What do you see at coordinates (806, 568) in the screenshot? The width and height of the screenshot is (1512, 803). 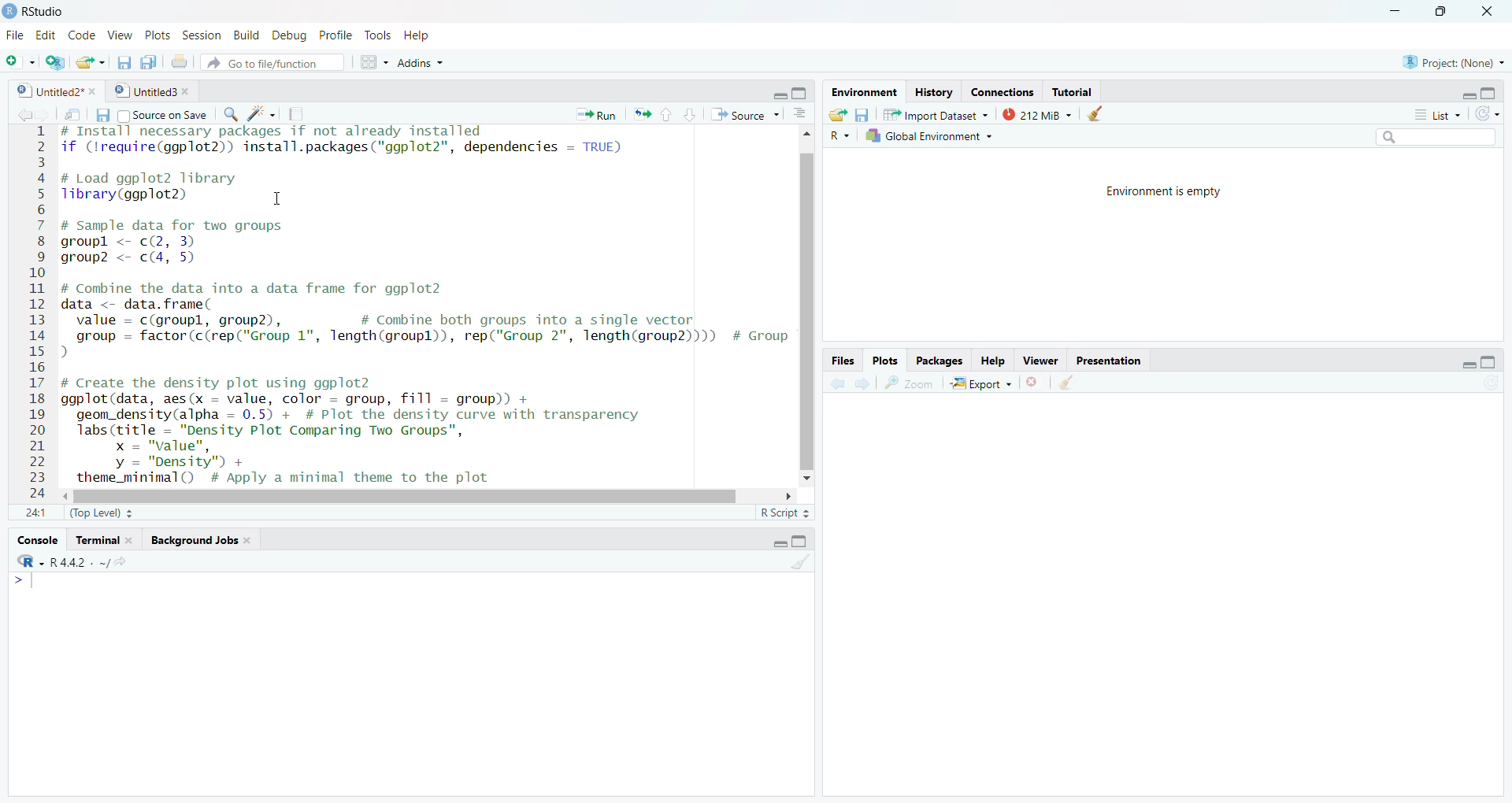 I see `CLEAR` at bounding box center [806, 568].